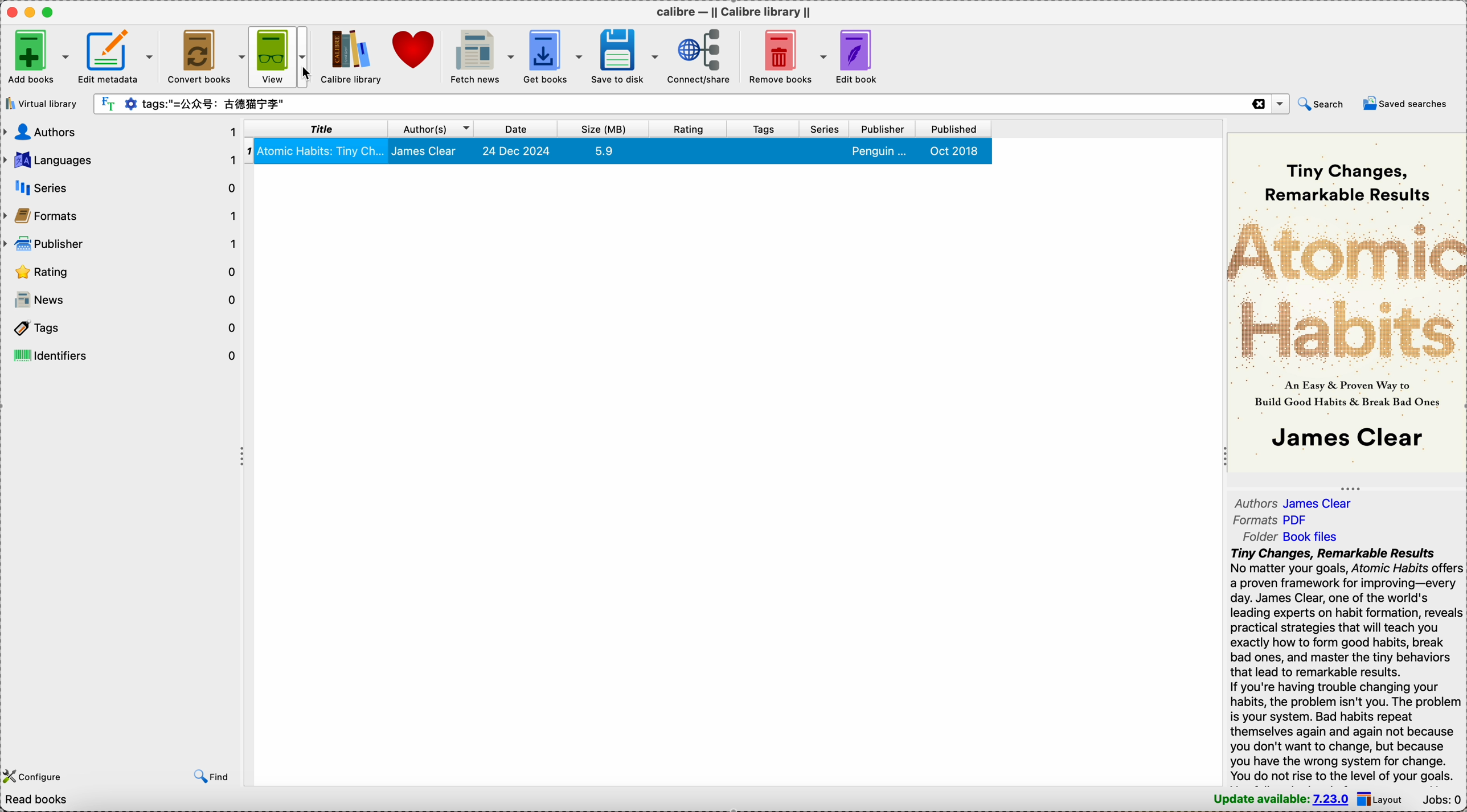 This screenshot has width=1467, height=812. I want to click on size, so click(604, 128).